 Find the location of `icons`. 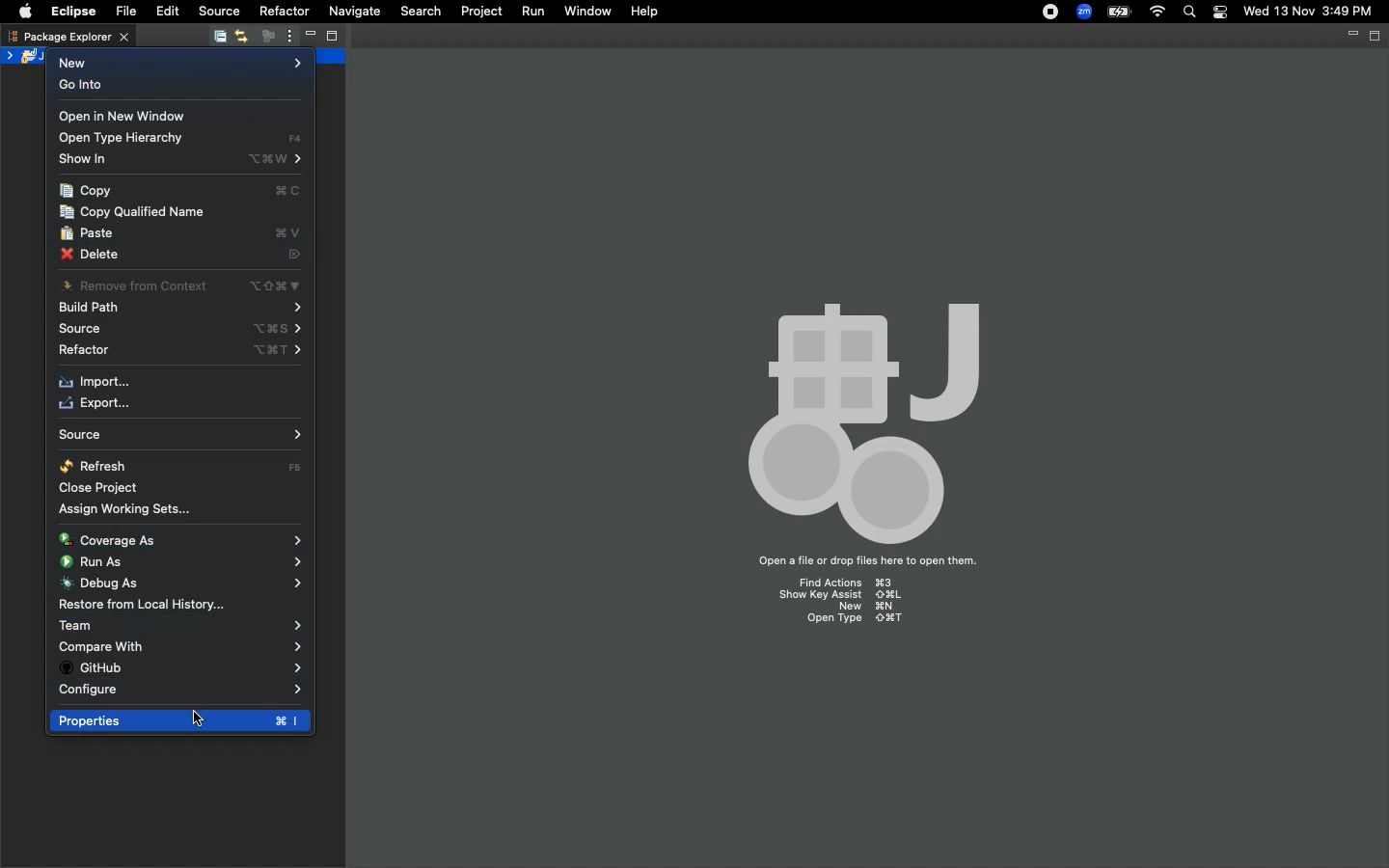

icons is located at coordinates (858, 410).